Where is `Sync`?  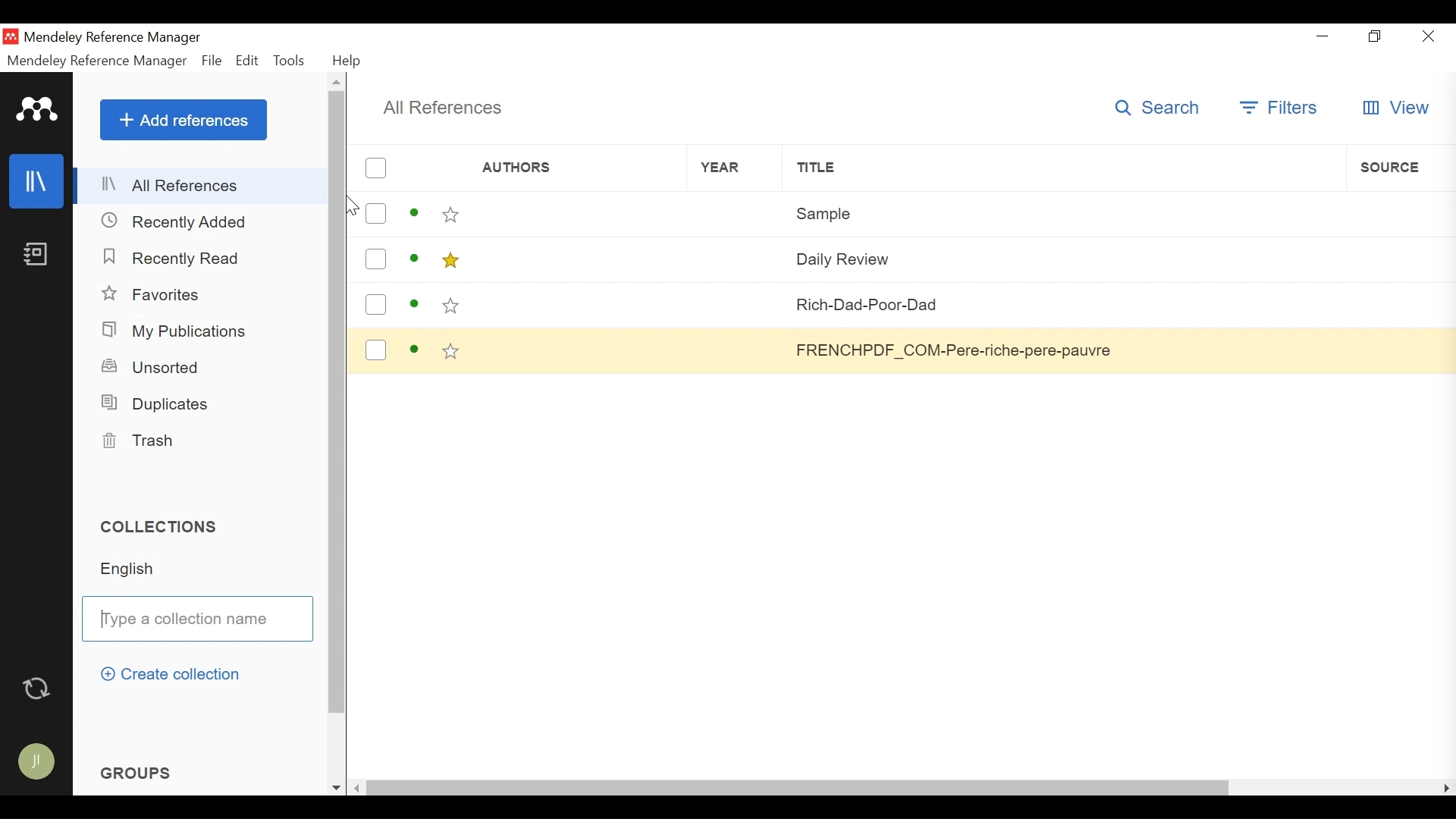 Sync is located at coordinates (38, 686).